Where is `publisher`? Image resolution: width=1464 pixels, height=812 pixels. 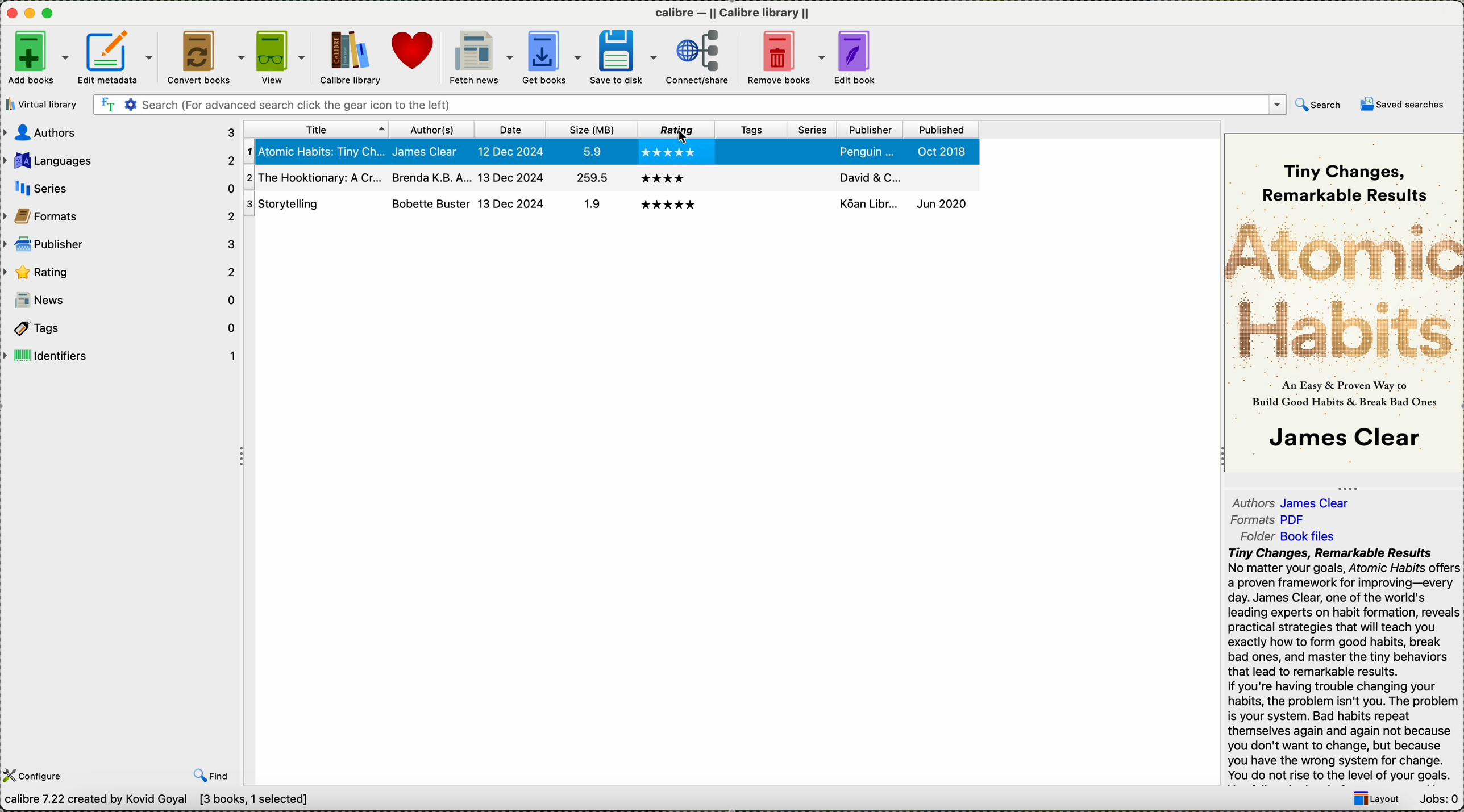
publisher is located at coordinates (119, 244).